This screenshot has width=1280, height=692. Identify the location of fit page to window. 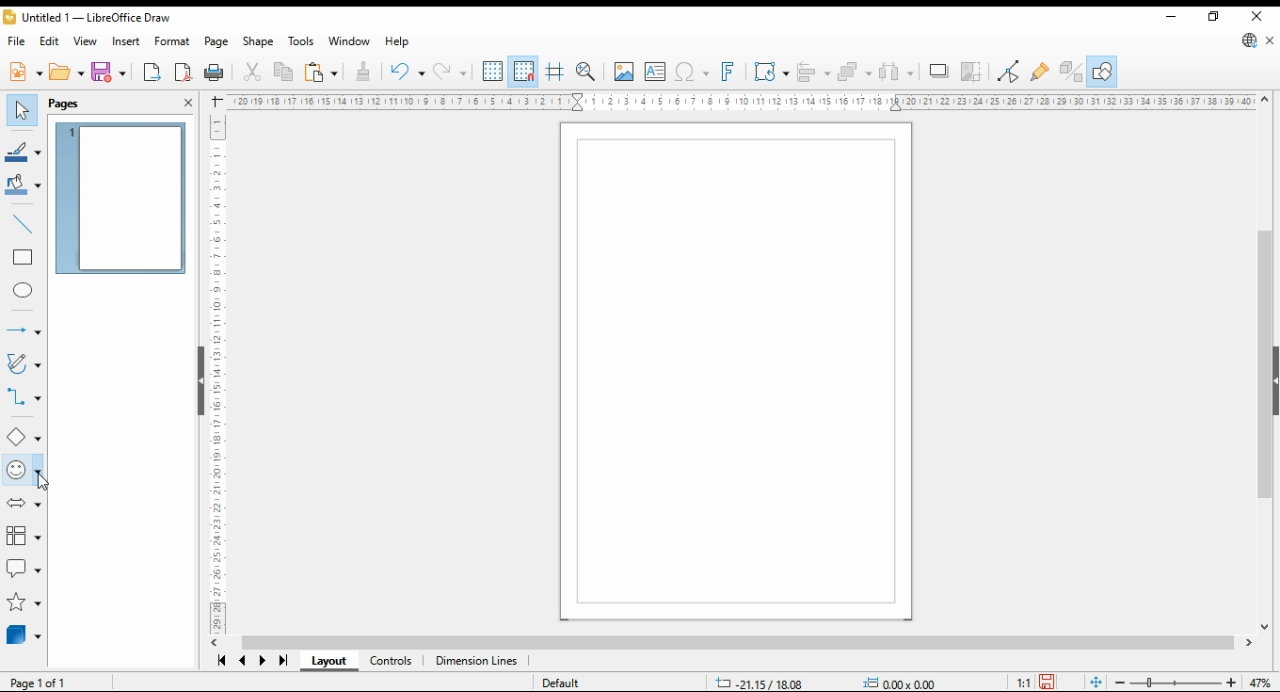
(1095, 682).